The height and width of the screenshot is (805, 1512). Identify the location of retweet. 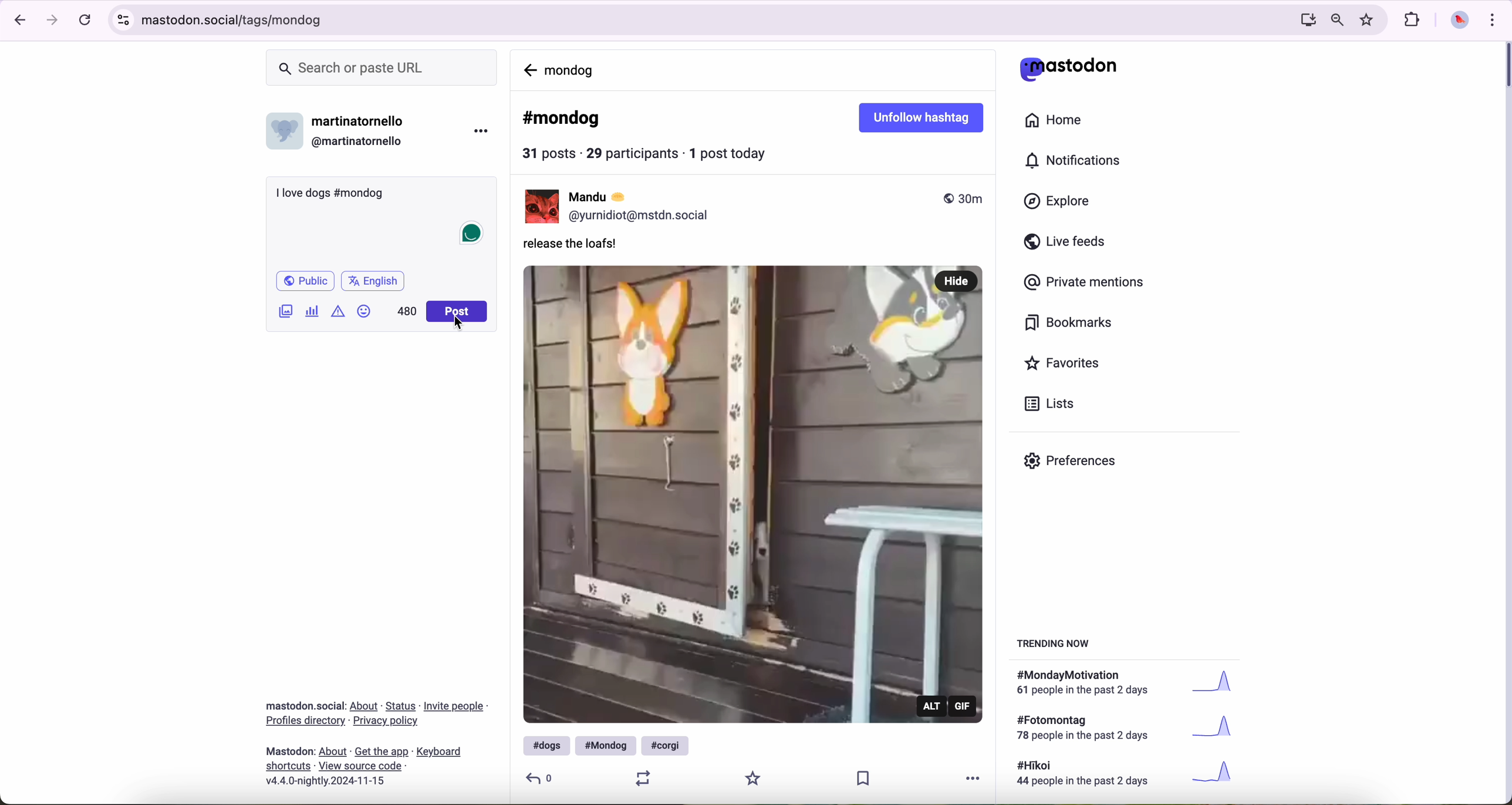
(640, 777).